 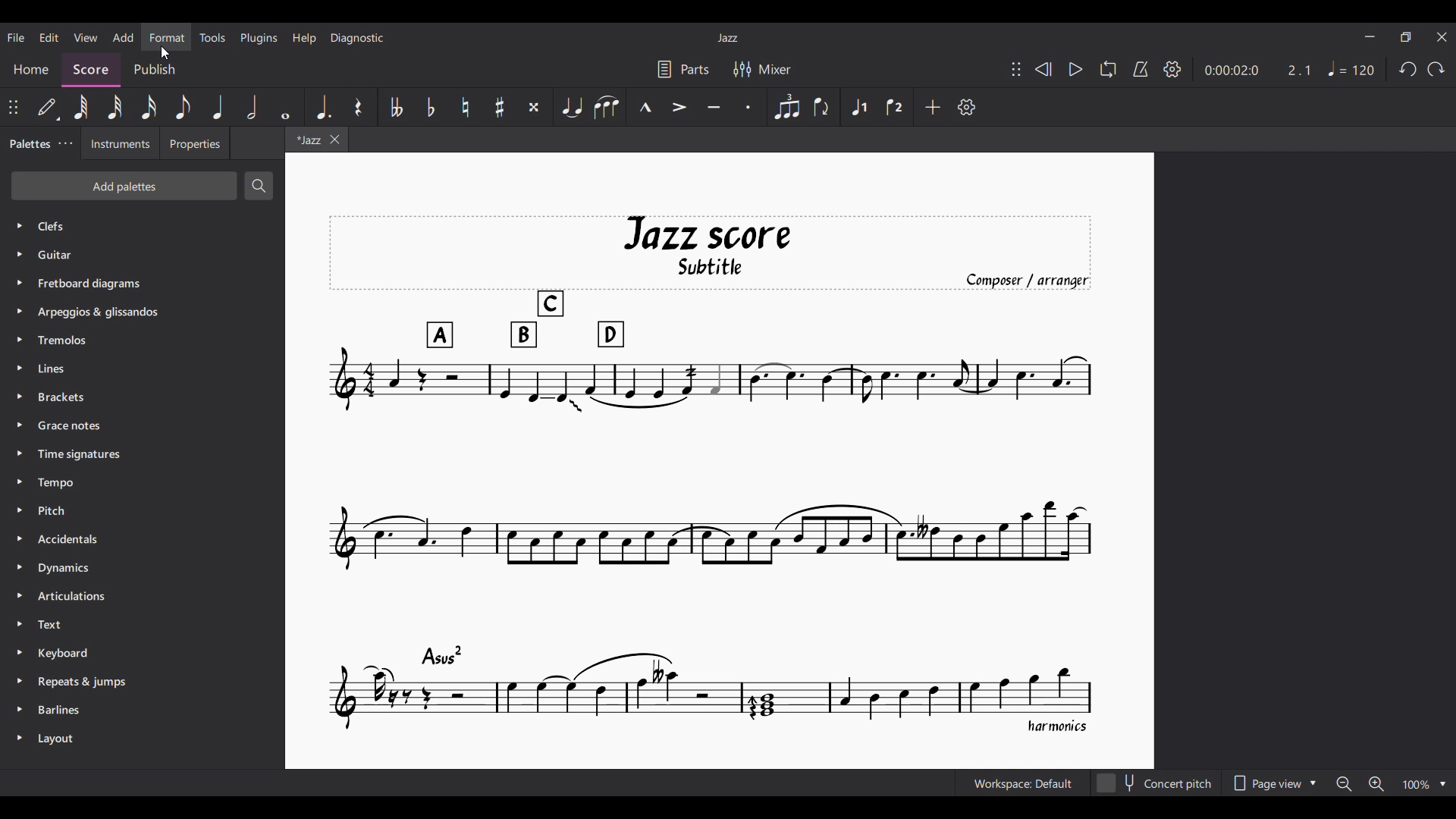 What do you see at coordinates (123, 186) in the screenshot?
I see `Add palettes` at bounding box center [123, 186].